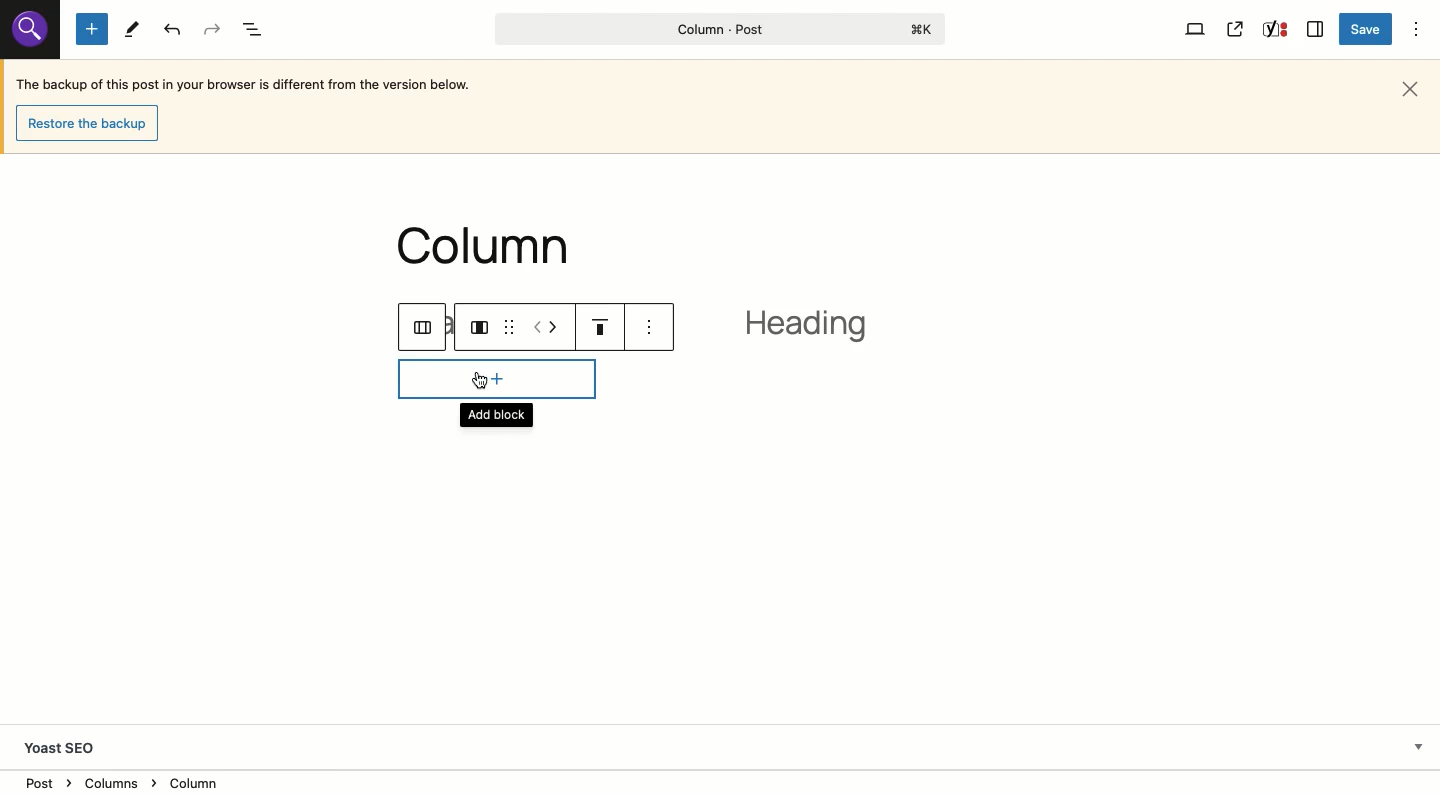  What do you see at coordinates (92, 30) in the screenshot?
I see `Add new block` at bounding box center [92, 30].